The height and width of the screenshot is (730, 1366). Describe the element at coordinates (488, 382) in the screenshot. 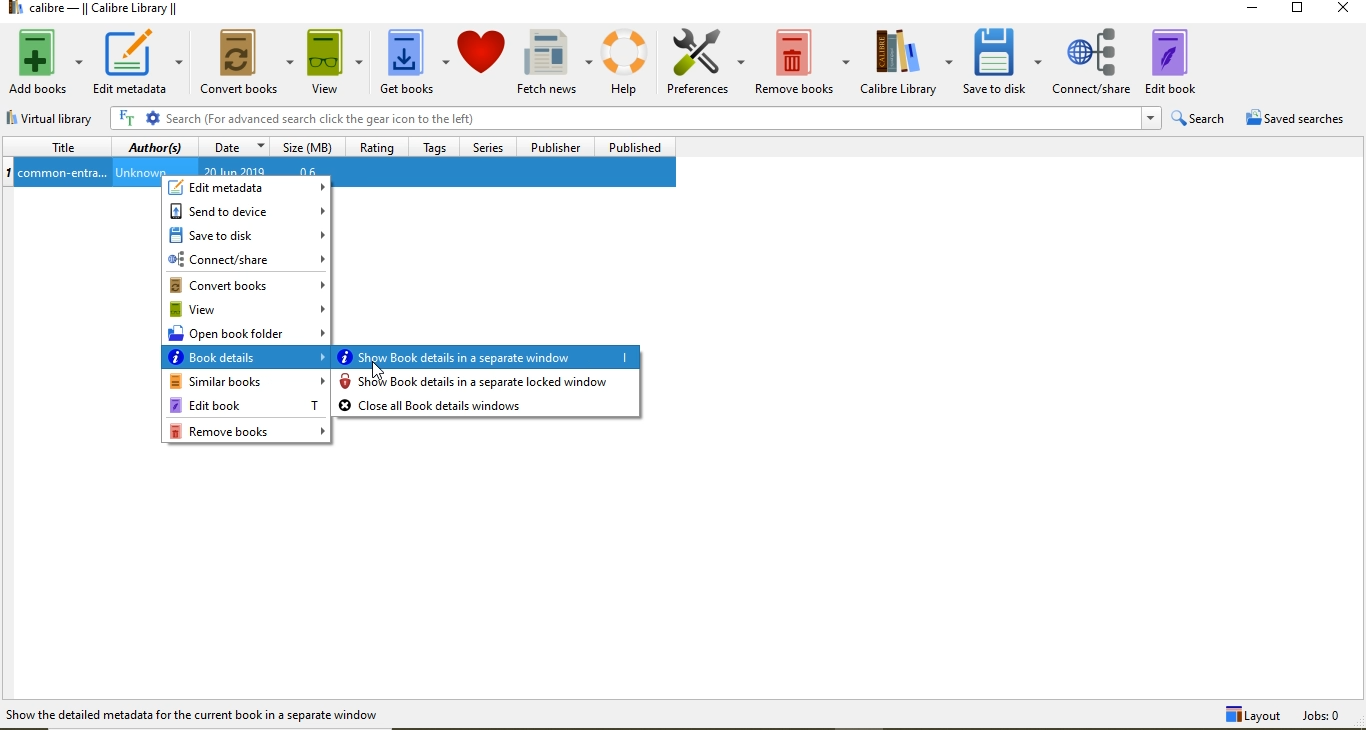

I see `show book details in a separate locked window` at that location.